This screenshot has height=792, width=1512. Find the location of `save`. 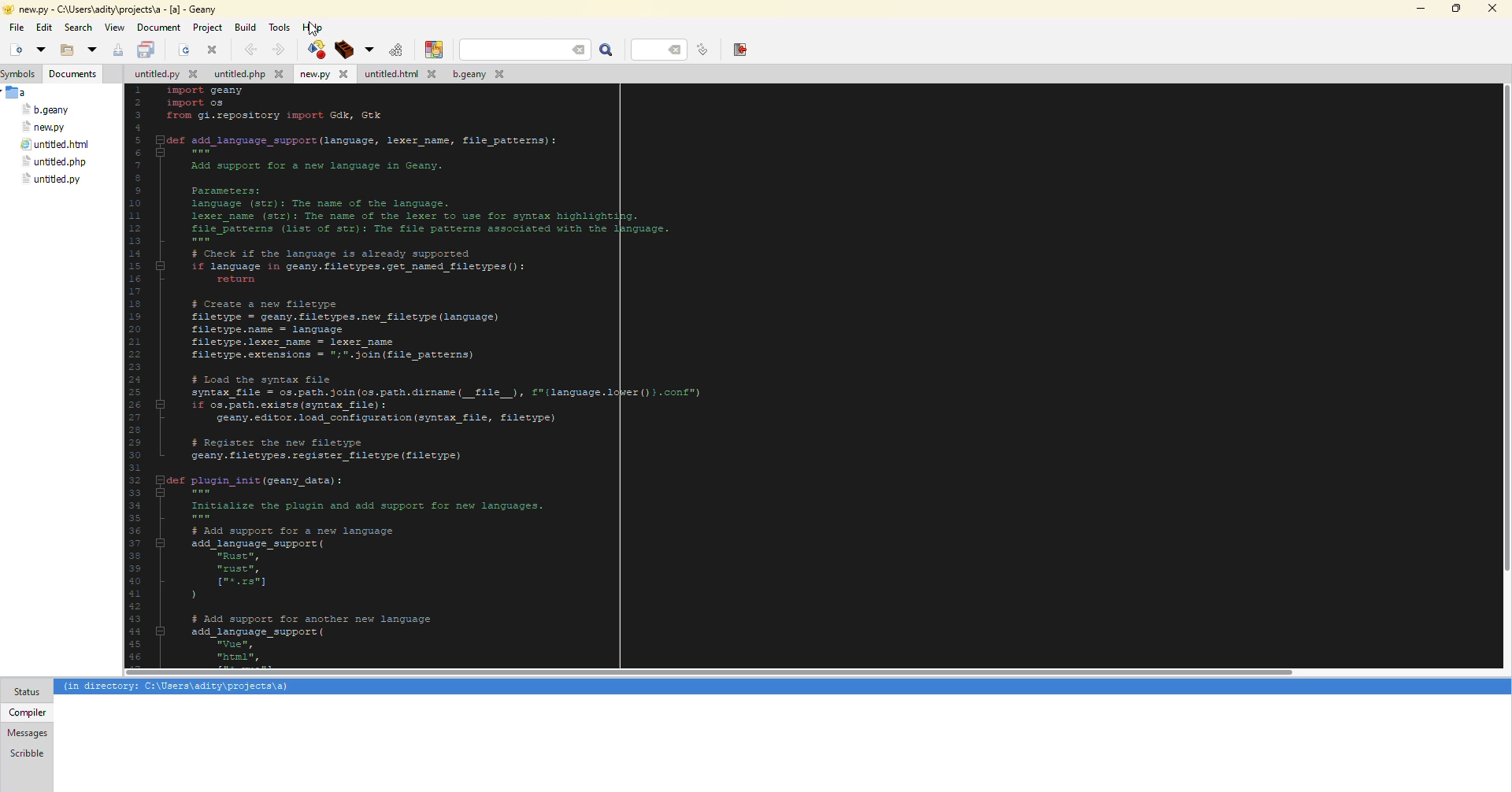

save is located at coordinates (147, 50).